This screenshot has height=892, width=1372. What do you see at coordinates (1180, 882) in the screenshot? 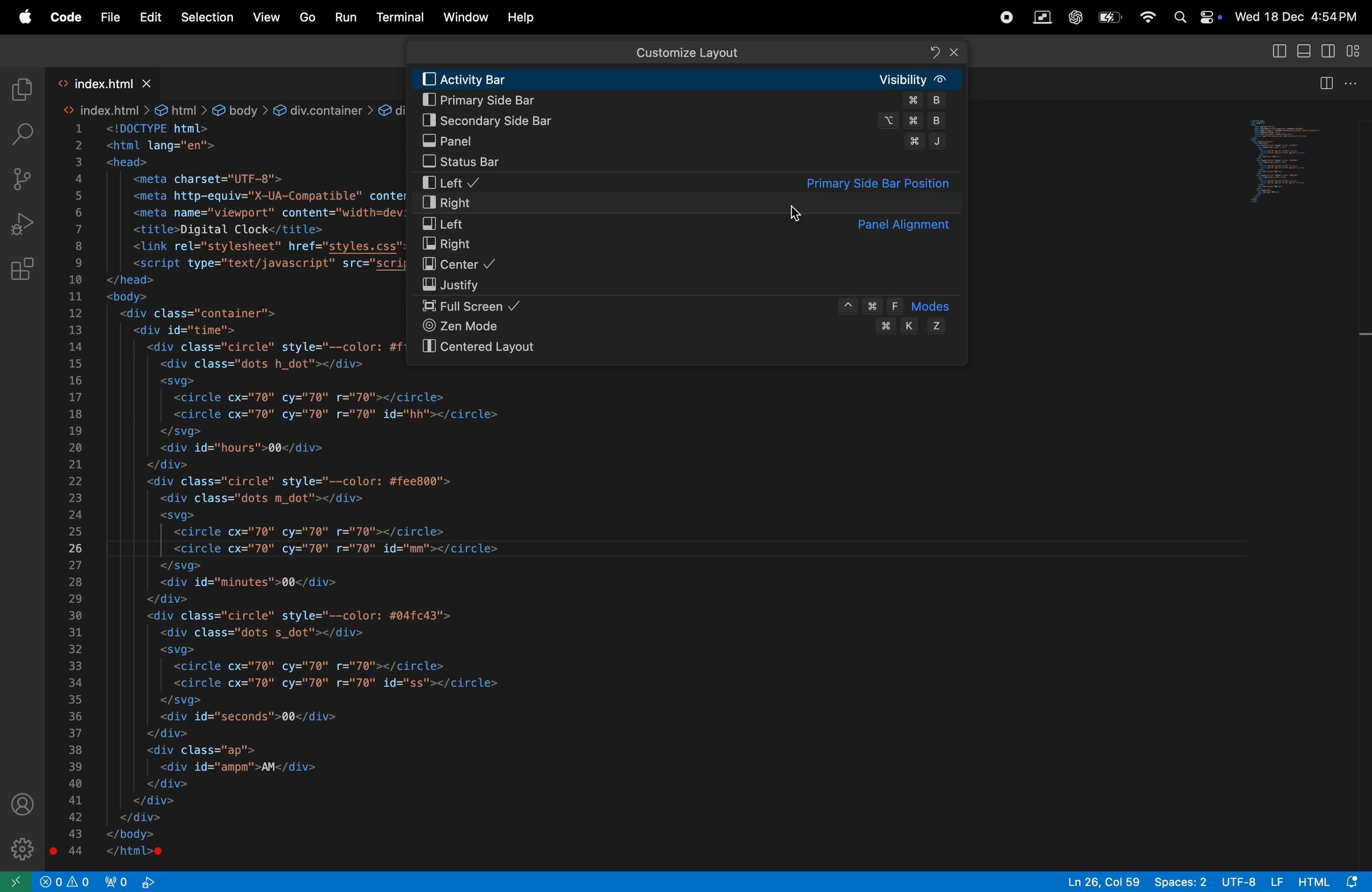
I see `spaces 2` at bounding box center [1180, 882].